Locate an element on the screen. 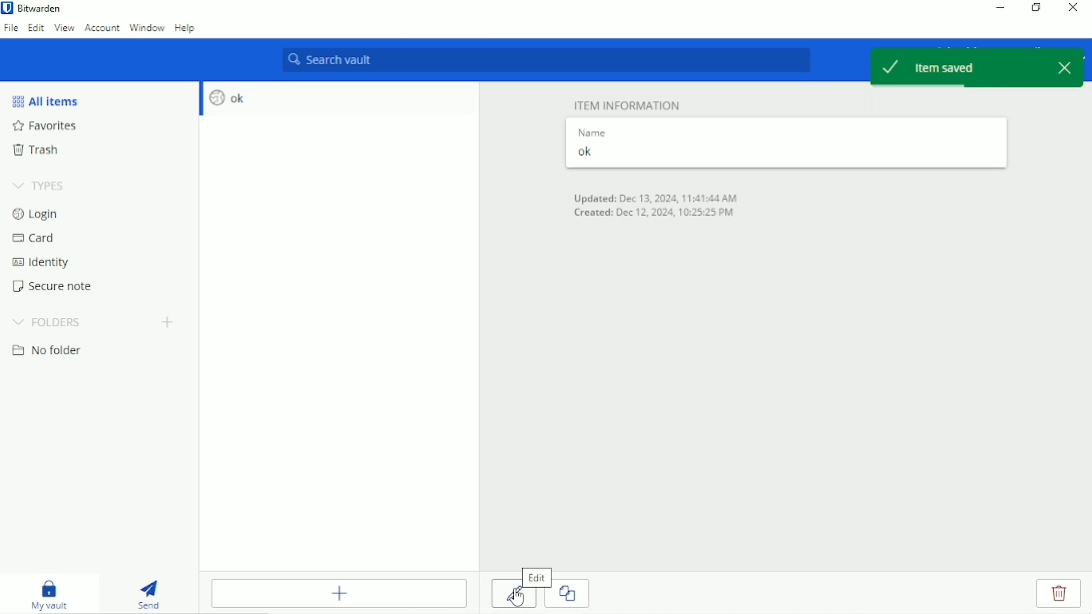  Window is located at coordinates (146, 28).